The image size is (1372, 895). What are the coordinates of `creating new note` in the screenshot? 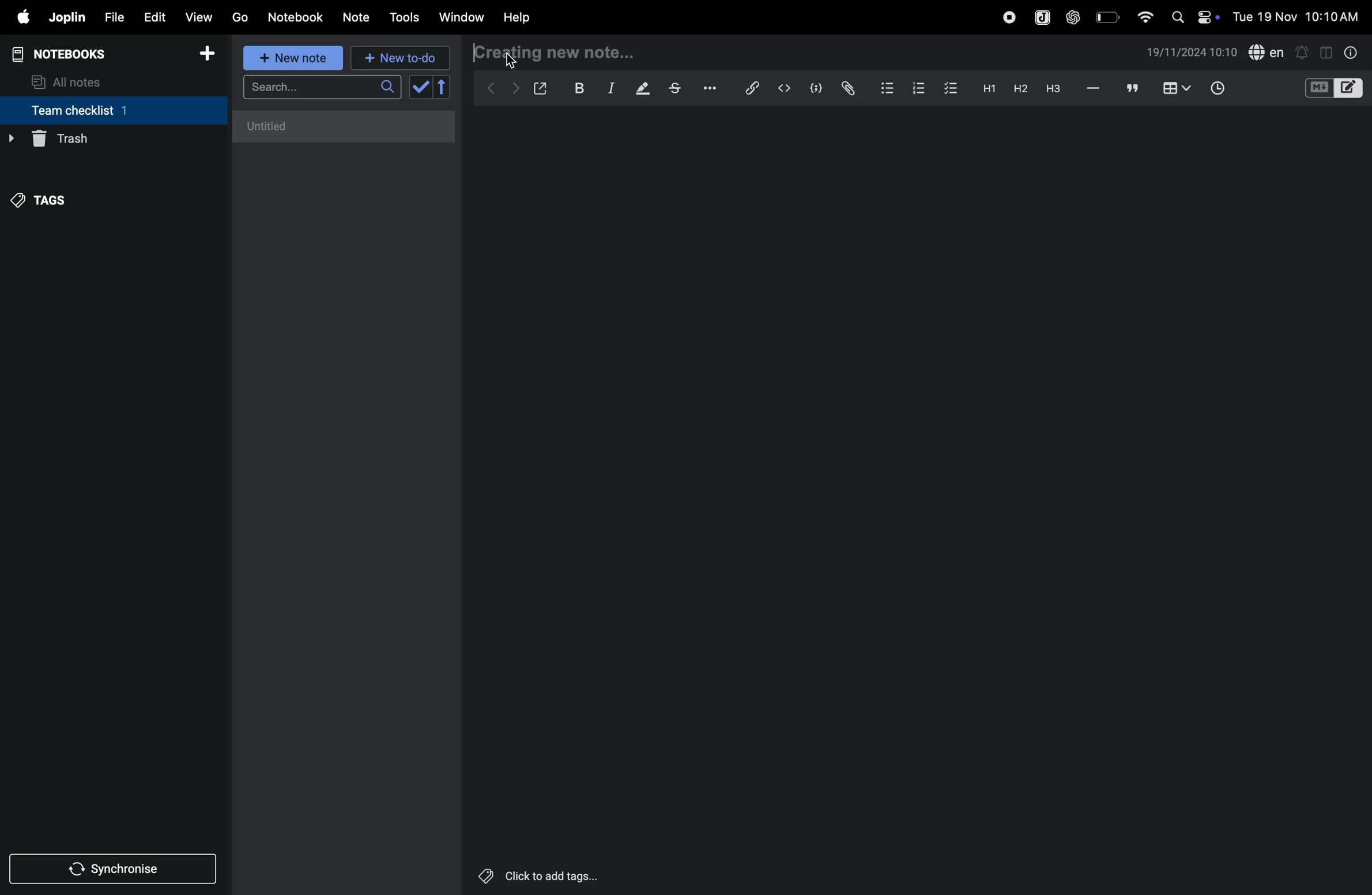 It's located at (577, 52).